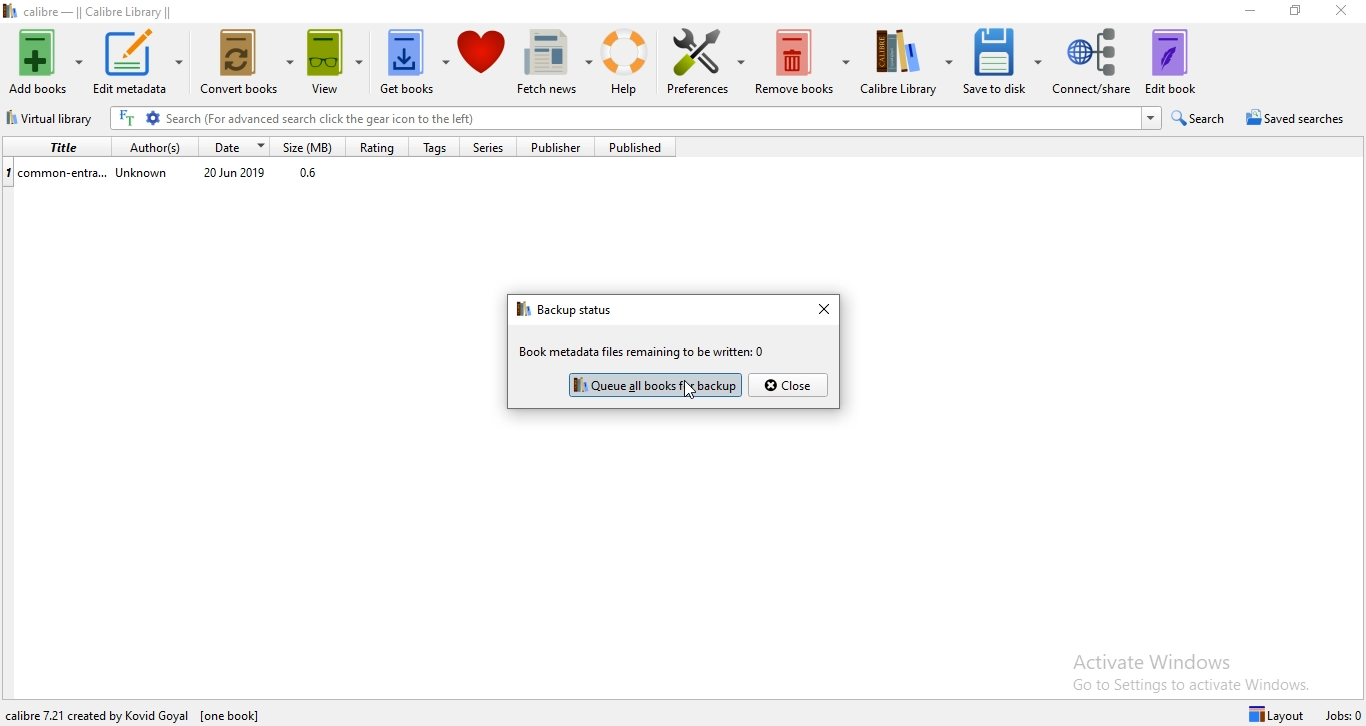 The height and width of the screenshot is (726, 1366). What do you see at coordinates (692, 389) in the screenshot?
I see `Cursor` at bounding box center [692, 389].